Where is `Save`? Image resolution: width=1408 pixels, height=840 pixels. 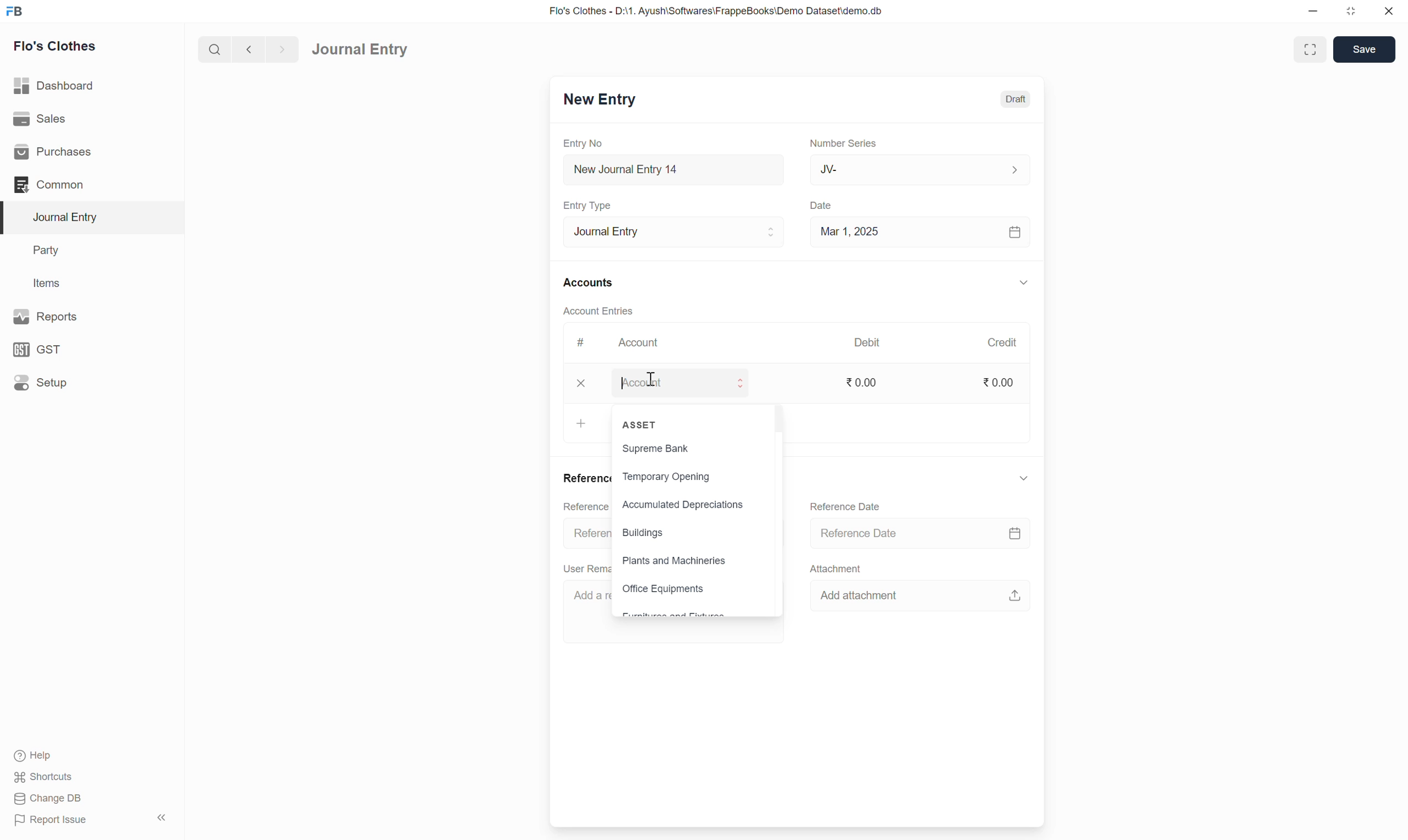 Save is located at coordinates (1365, 50).